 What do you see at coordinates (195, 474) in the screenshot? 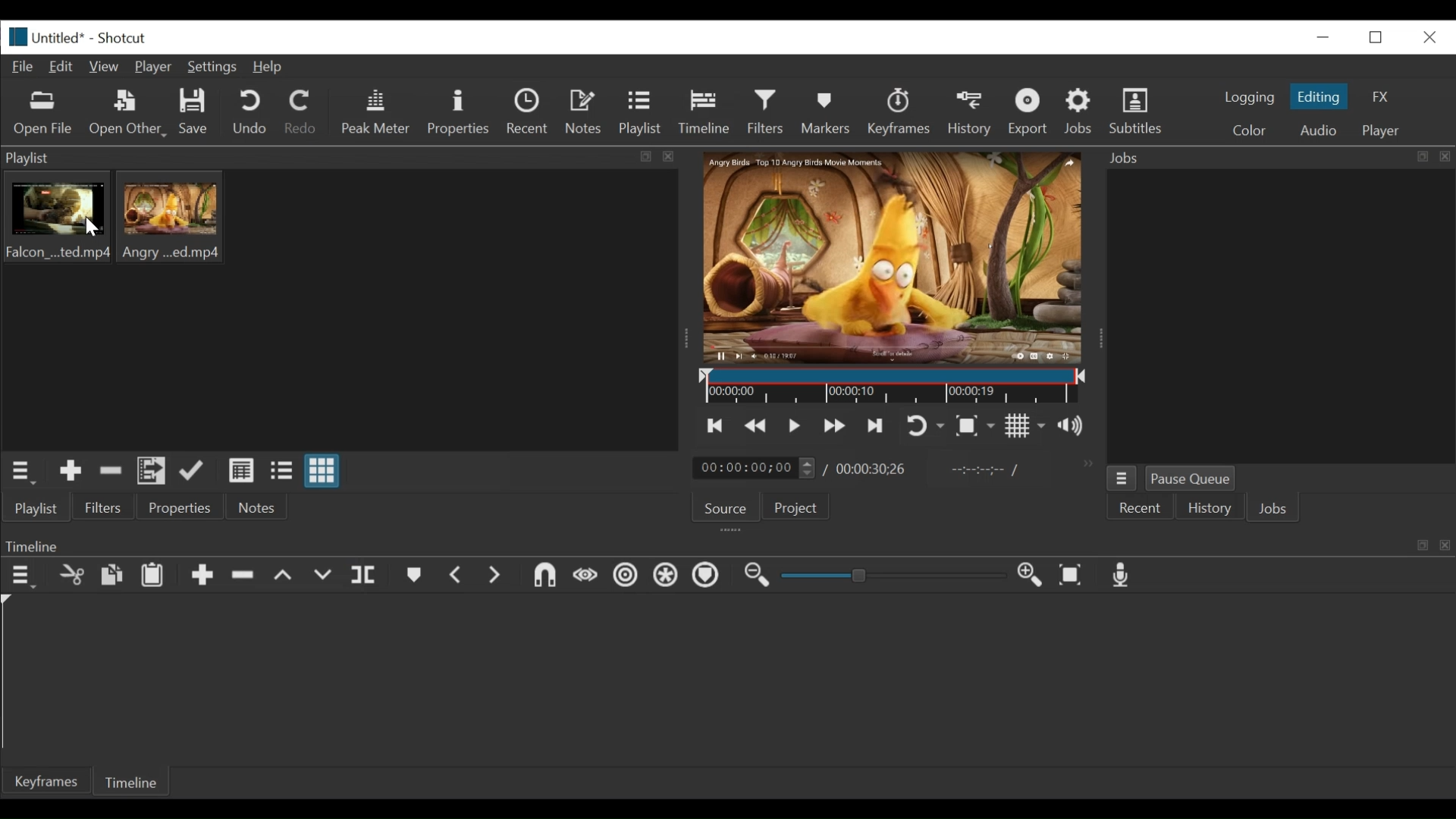
I see `update` at bounding box center [195, 474].